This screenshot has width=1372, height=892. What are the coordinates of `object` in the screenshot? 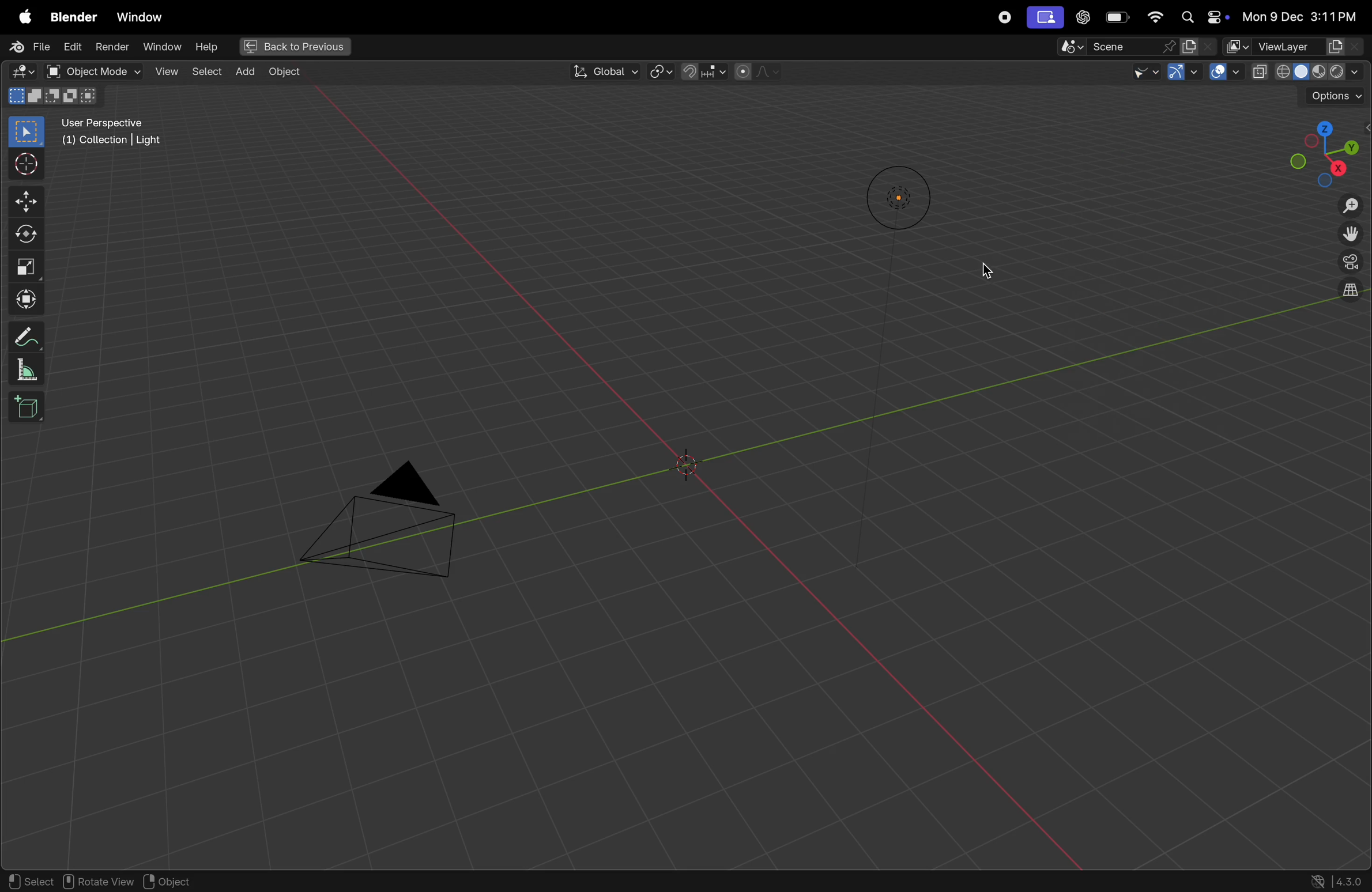 It's located at (172, 879).